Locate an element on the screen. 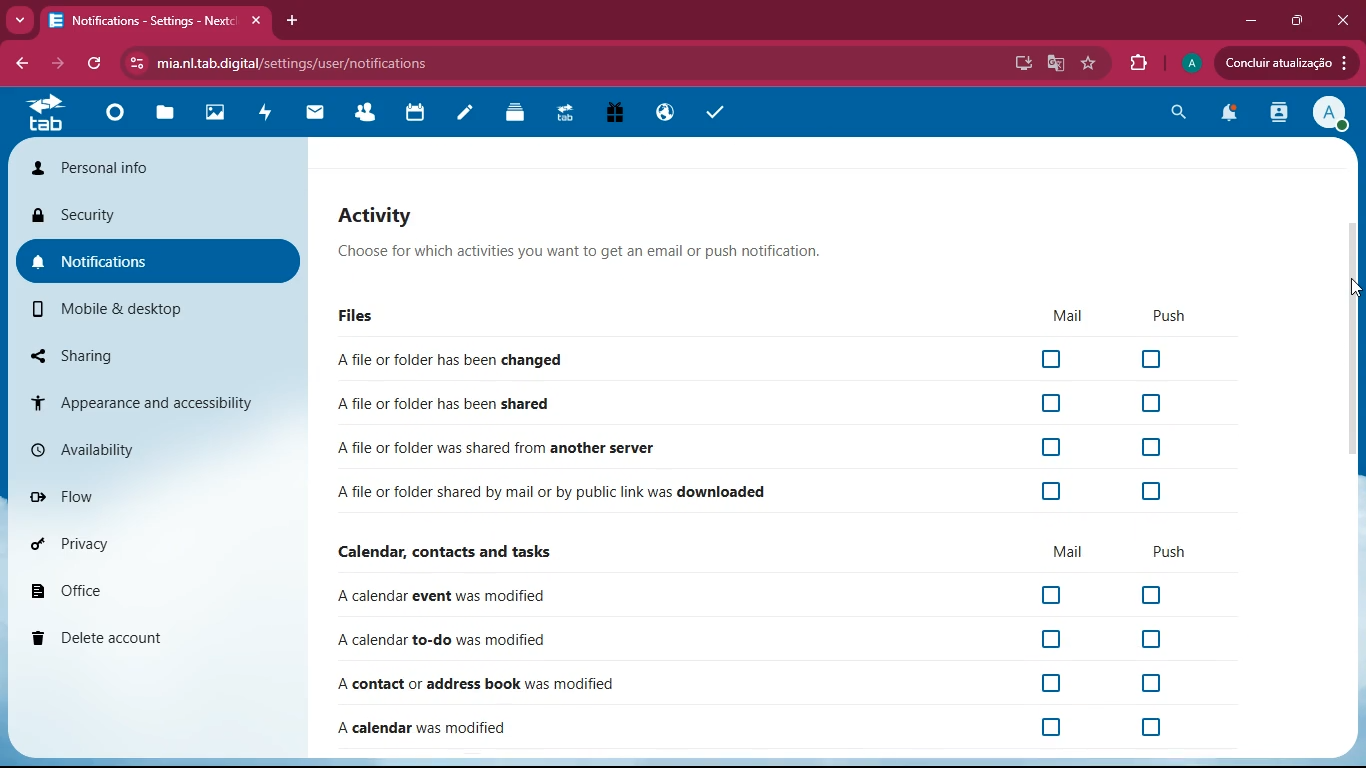  A file or folder shared by mail or by public link was downloaded is located at coordinates (552, 493).